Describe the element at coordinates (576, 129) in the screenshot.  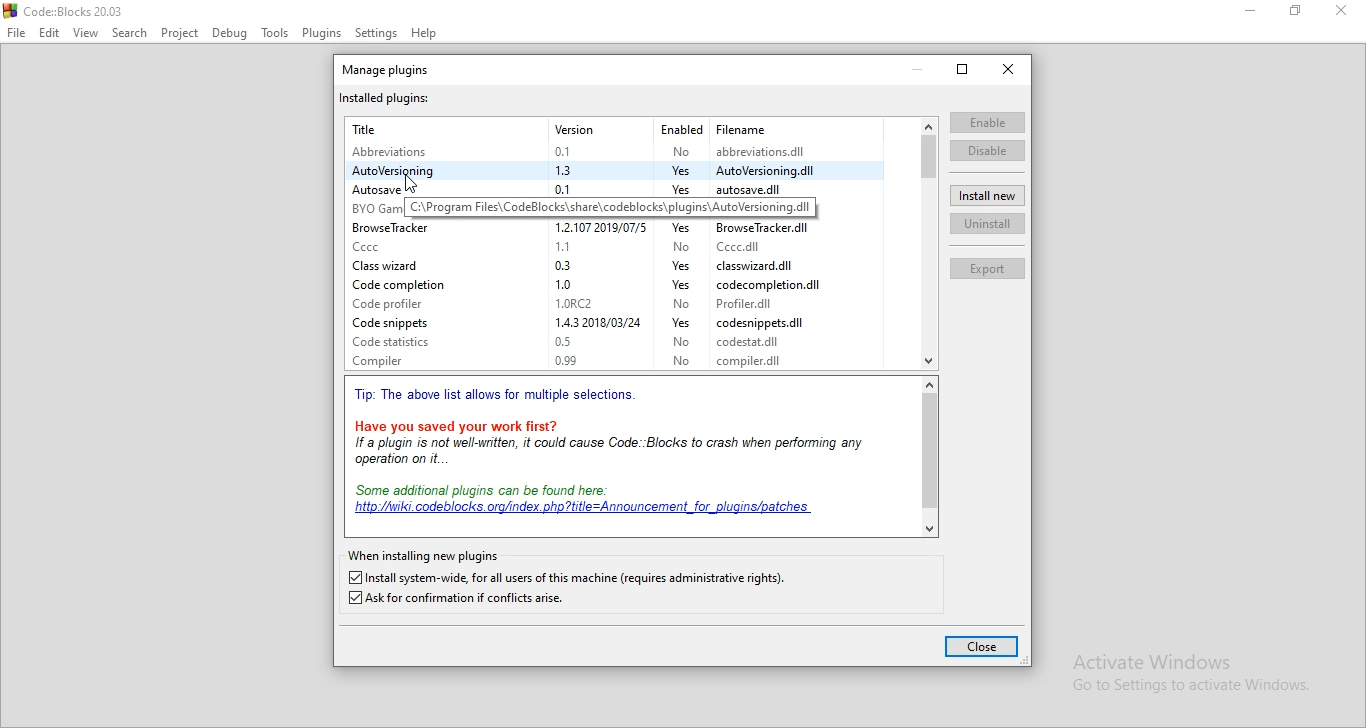
I see `Version` at that location.